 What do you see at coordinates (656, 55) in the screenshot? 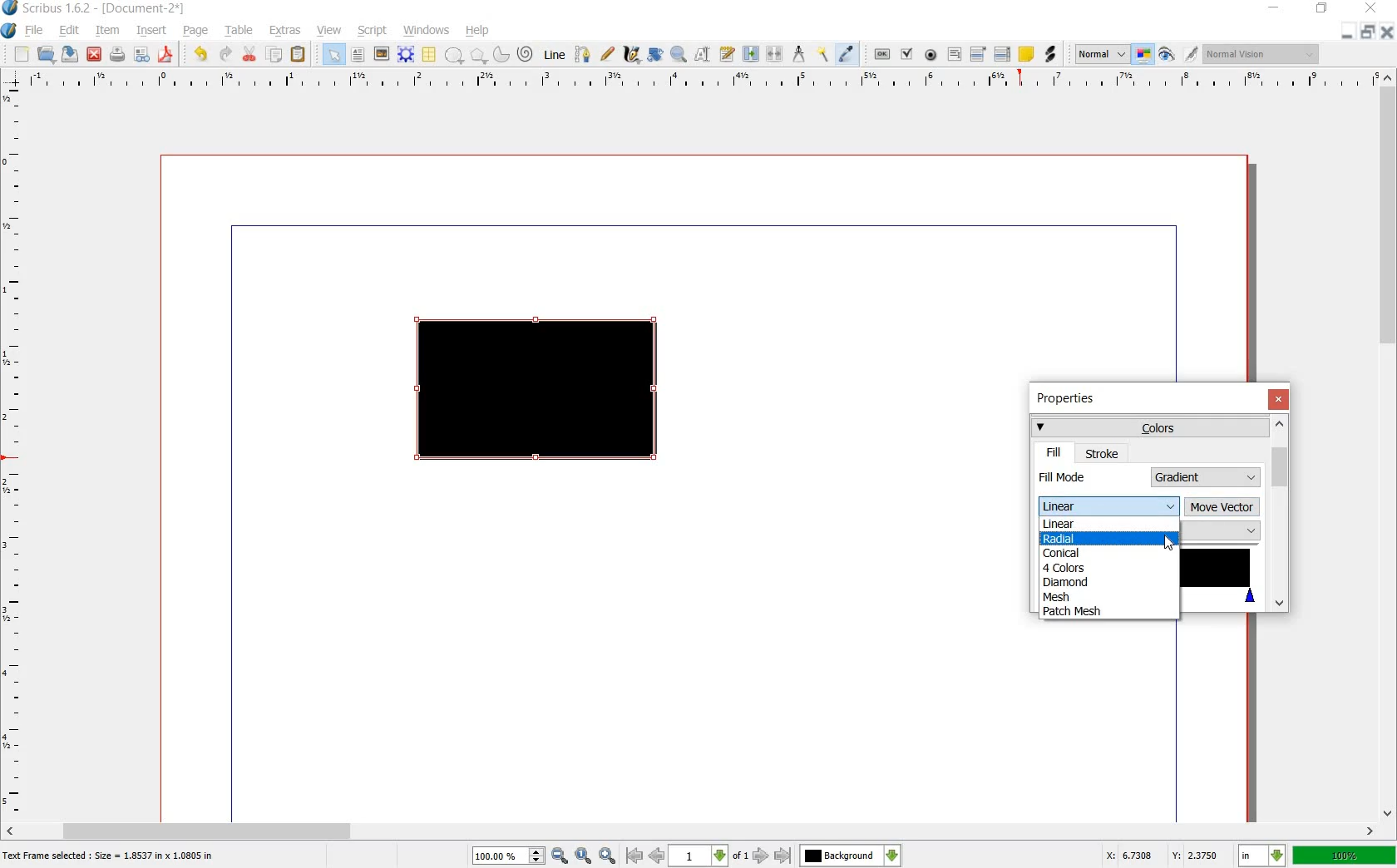
I see `rotate item` at bounding box center [656, 55].